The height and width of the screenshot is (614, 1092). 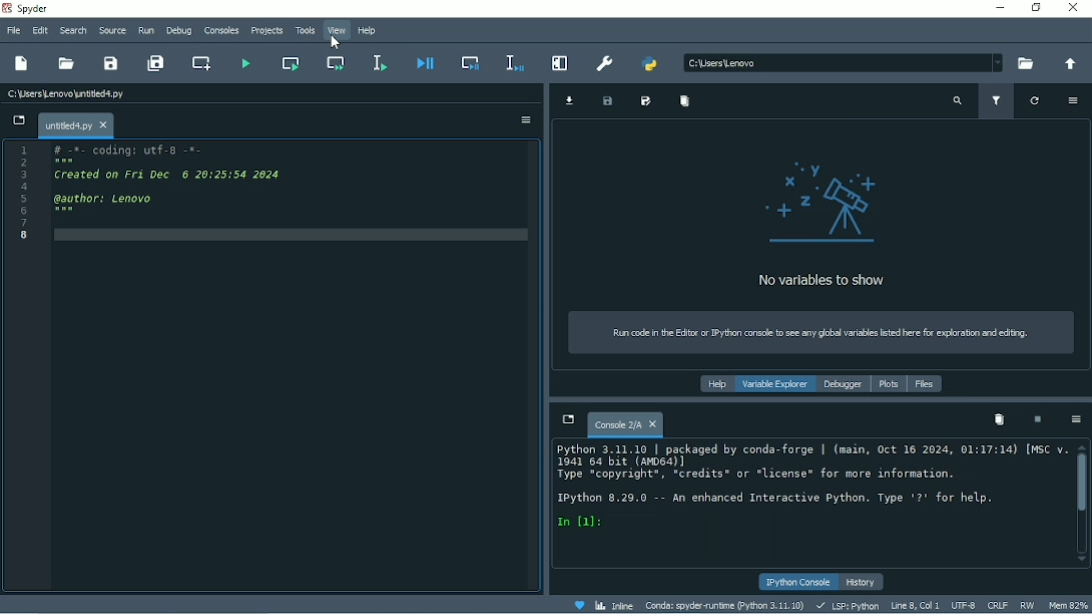 I want to click on Save file, so click(x=112, y=63).